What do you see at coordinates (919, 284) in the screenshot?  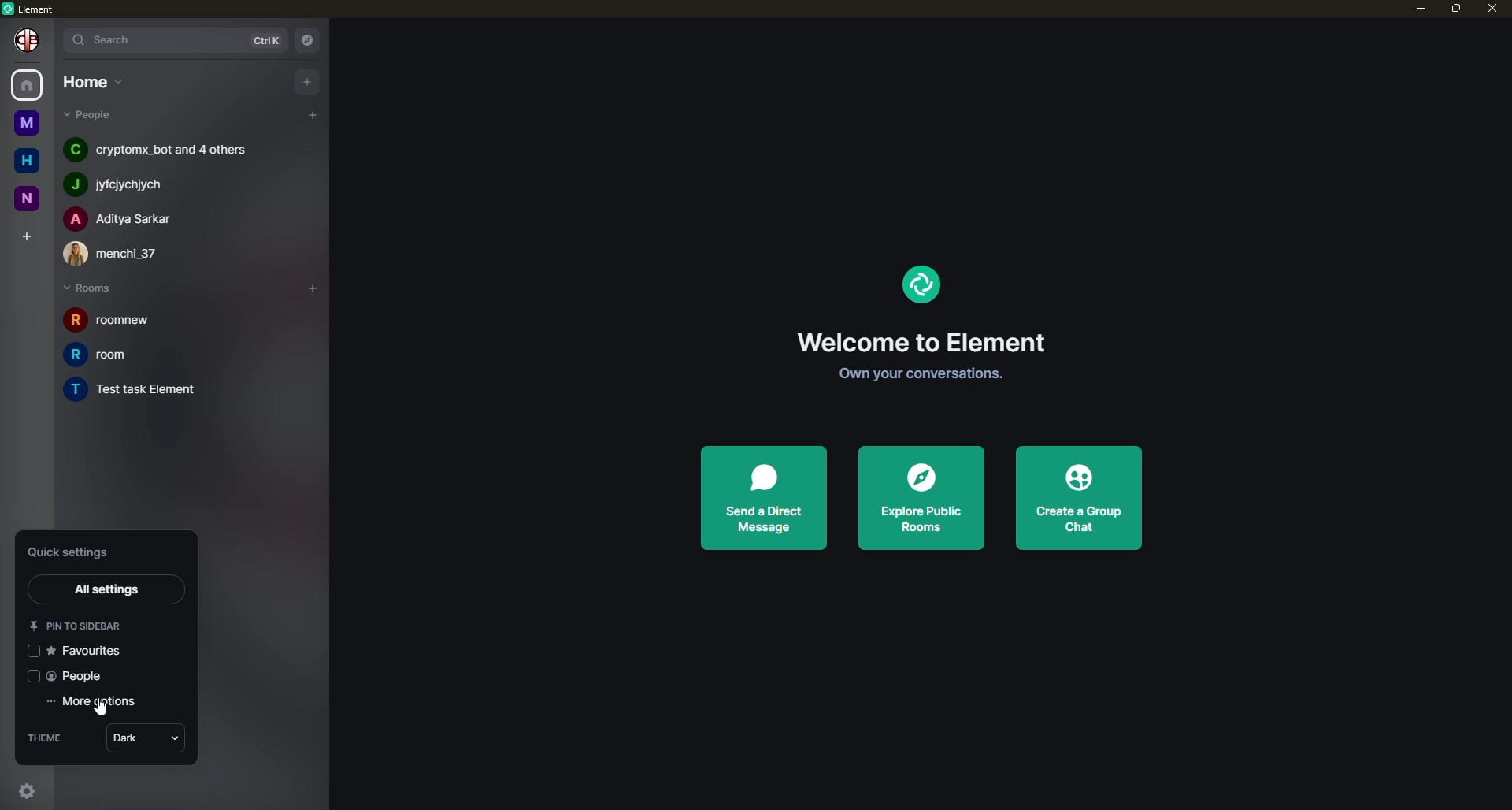 I see `element` at bounding box center [919, 284].